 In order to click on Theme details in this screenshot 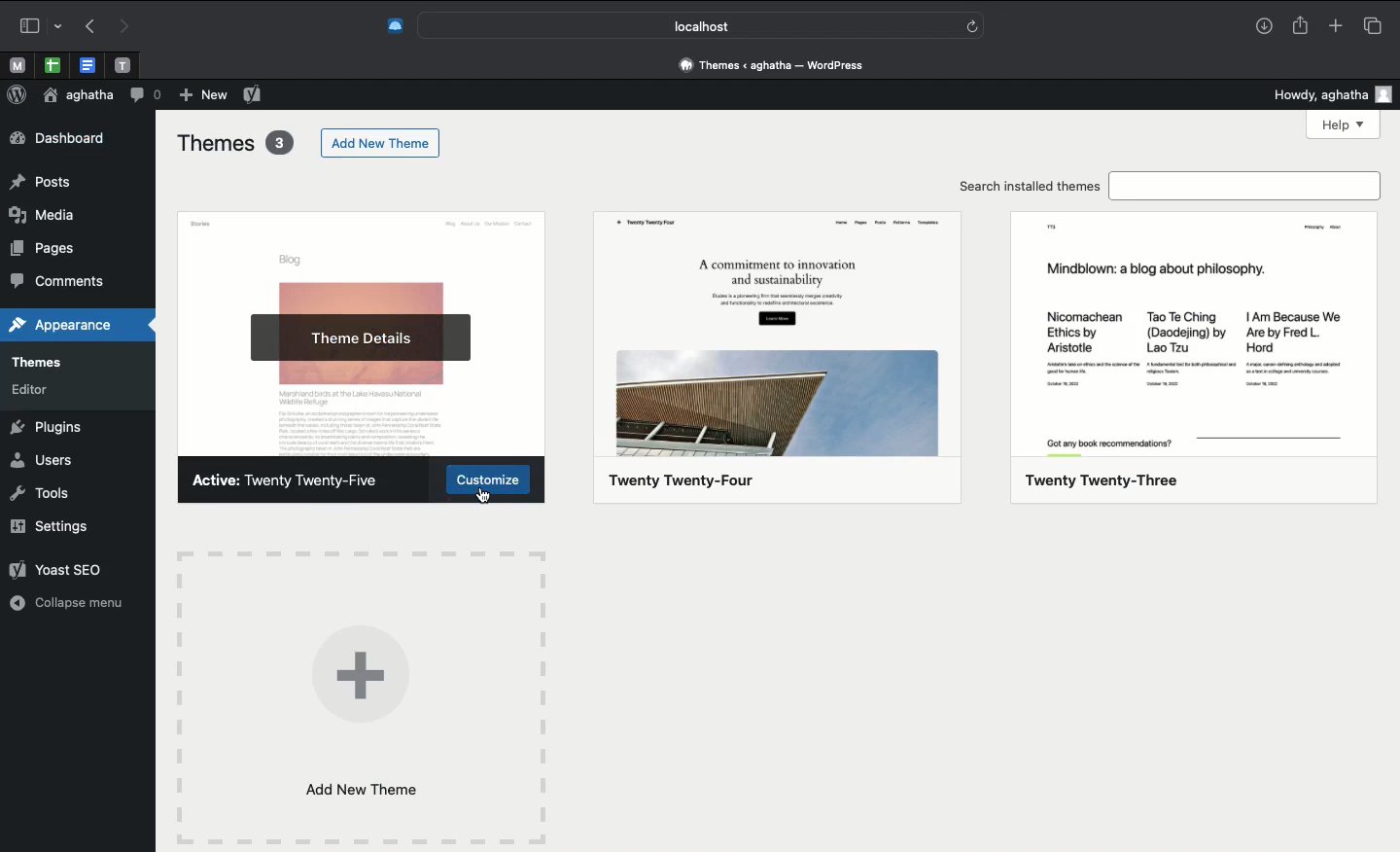, I will do `click(361, 335)`.